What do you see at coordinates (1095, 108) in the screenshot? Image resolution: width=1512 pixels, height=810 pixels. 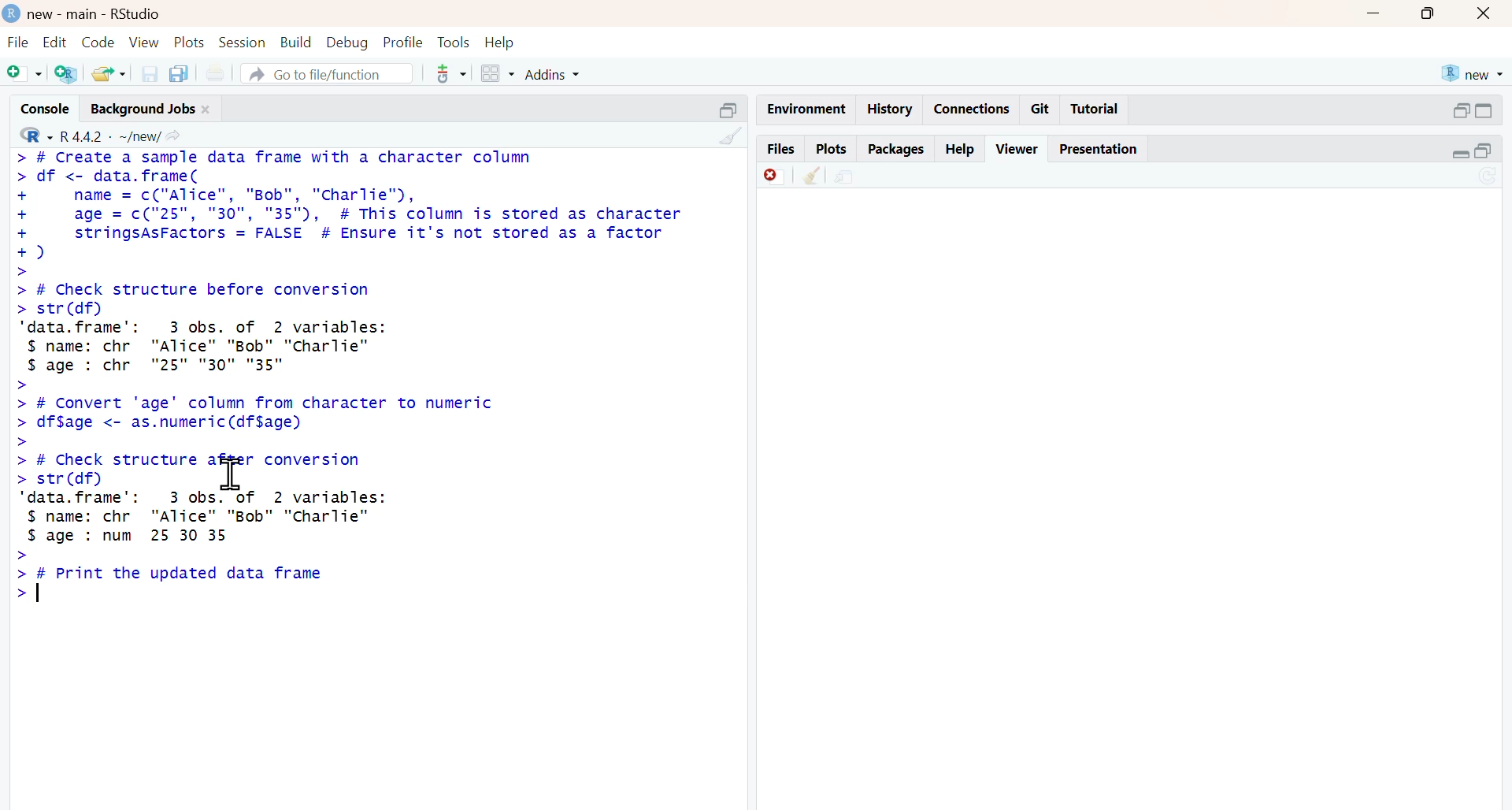 I see `Tutorial ` at bounding box center [1095, 108].